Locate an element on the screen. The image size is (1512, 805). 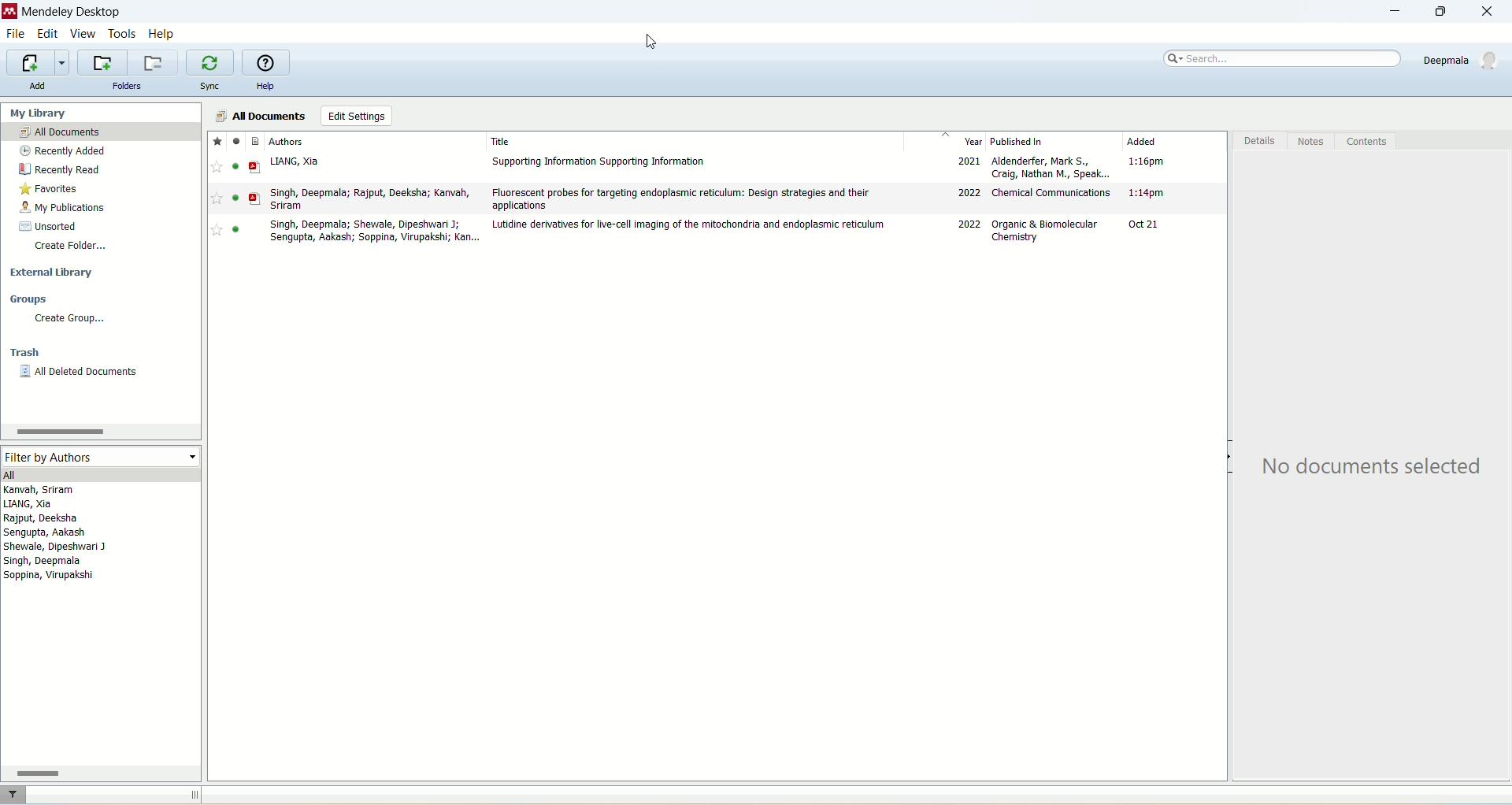
1:15 pm is located at coordinates (1159, 161).